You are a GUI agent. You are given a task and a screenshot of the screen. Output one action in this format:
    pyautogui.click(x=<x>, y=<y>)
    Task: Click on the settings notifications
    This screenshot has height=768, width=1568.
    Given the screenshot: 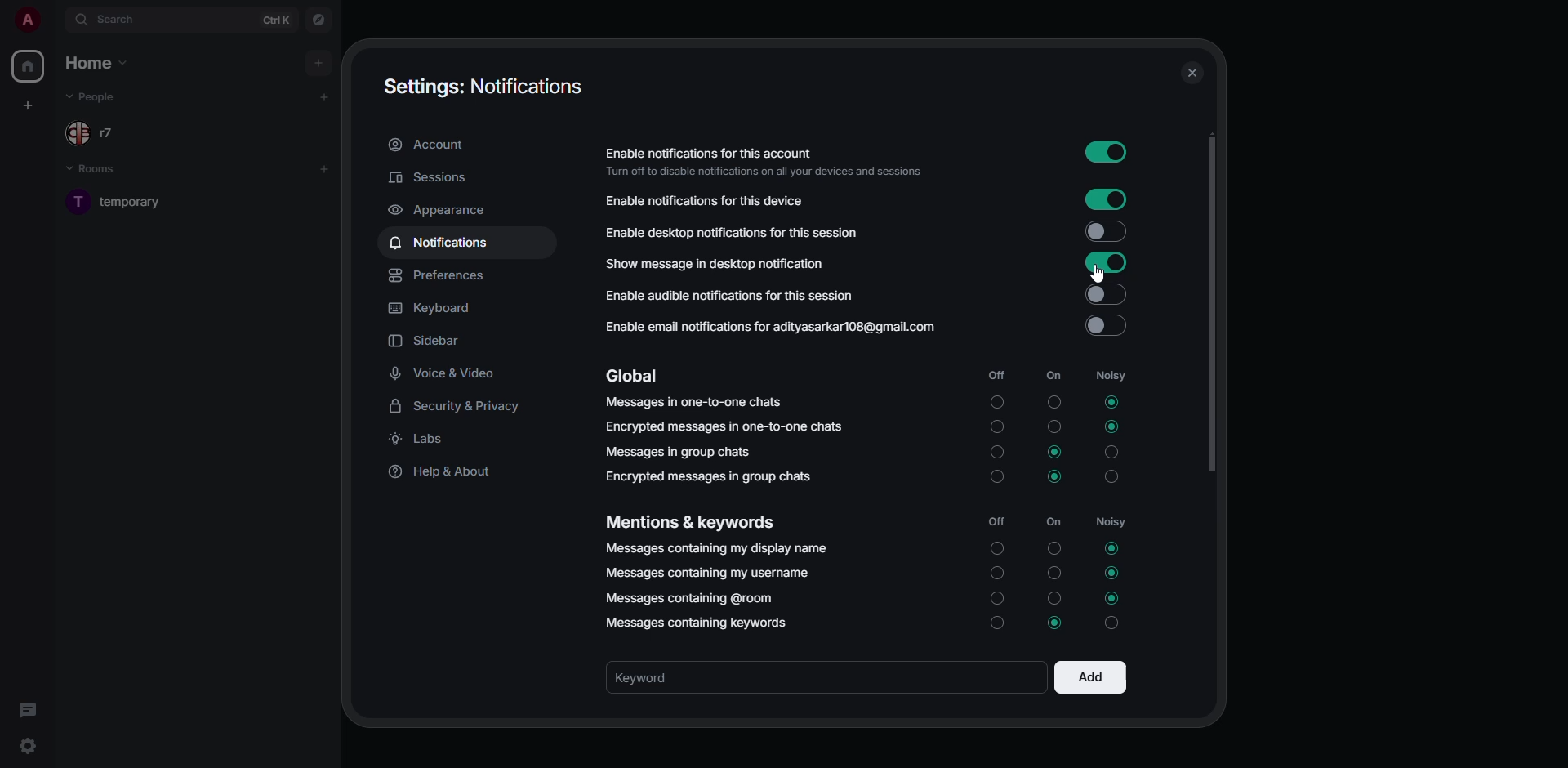 What is the action you would take?
    pyautogui.click(x=483, y=86)
    